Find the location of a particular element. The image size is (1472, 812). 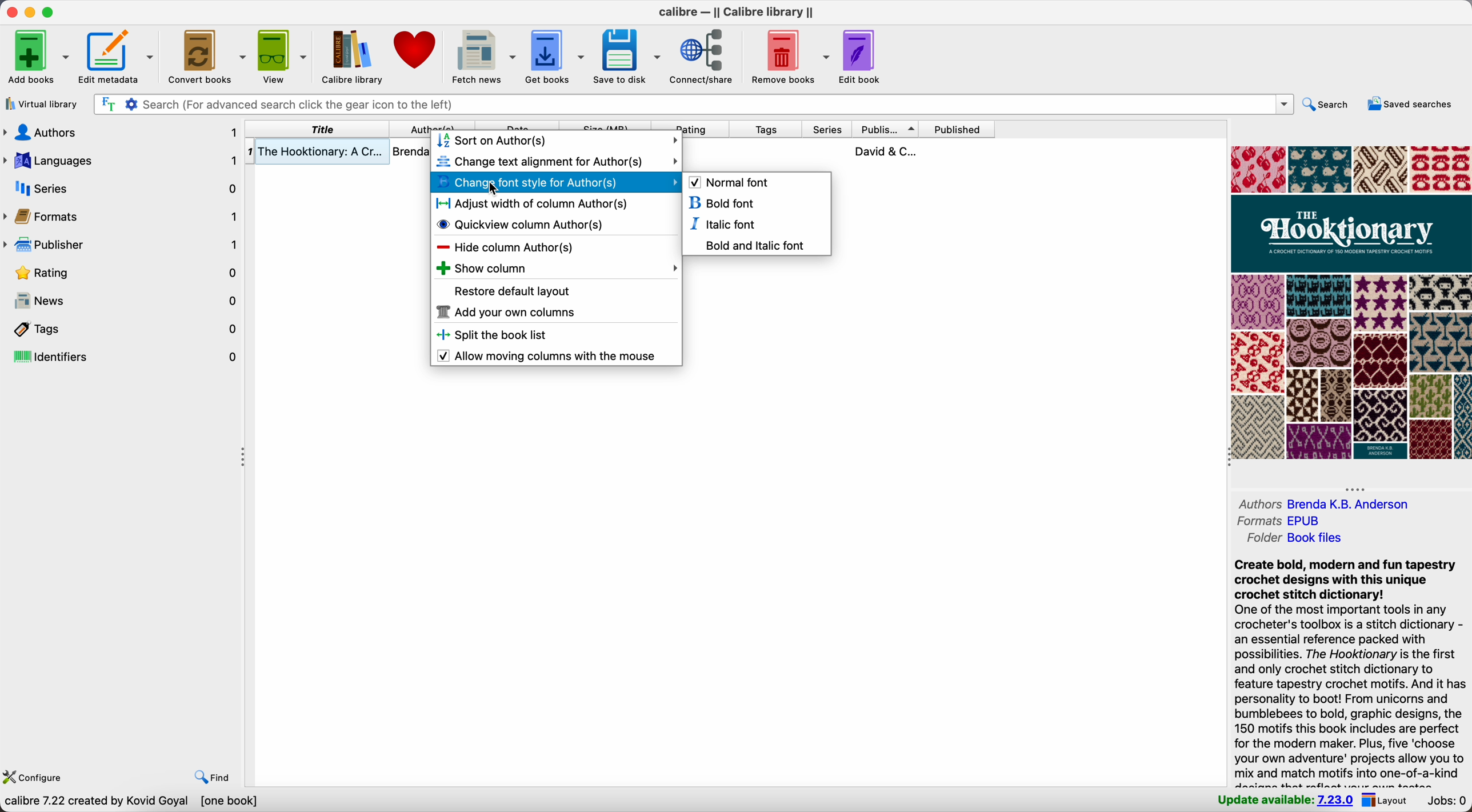

date is located at coordinates (516, 125).